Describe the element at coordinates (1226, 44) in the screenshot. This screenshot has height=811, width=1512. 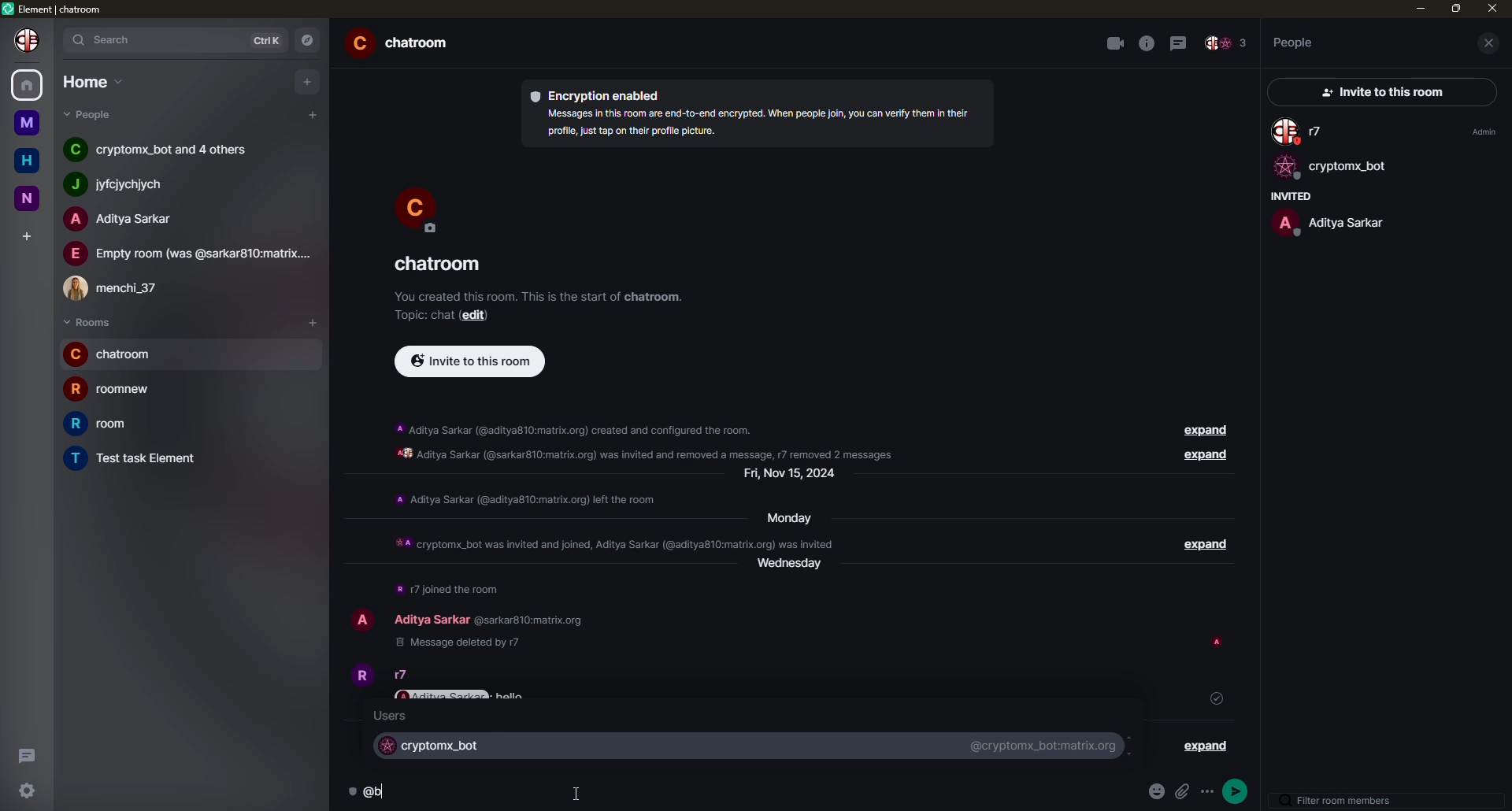
I see `people` at that location.